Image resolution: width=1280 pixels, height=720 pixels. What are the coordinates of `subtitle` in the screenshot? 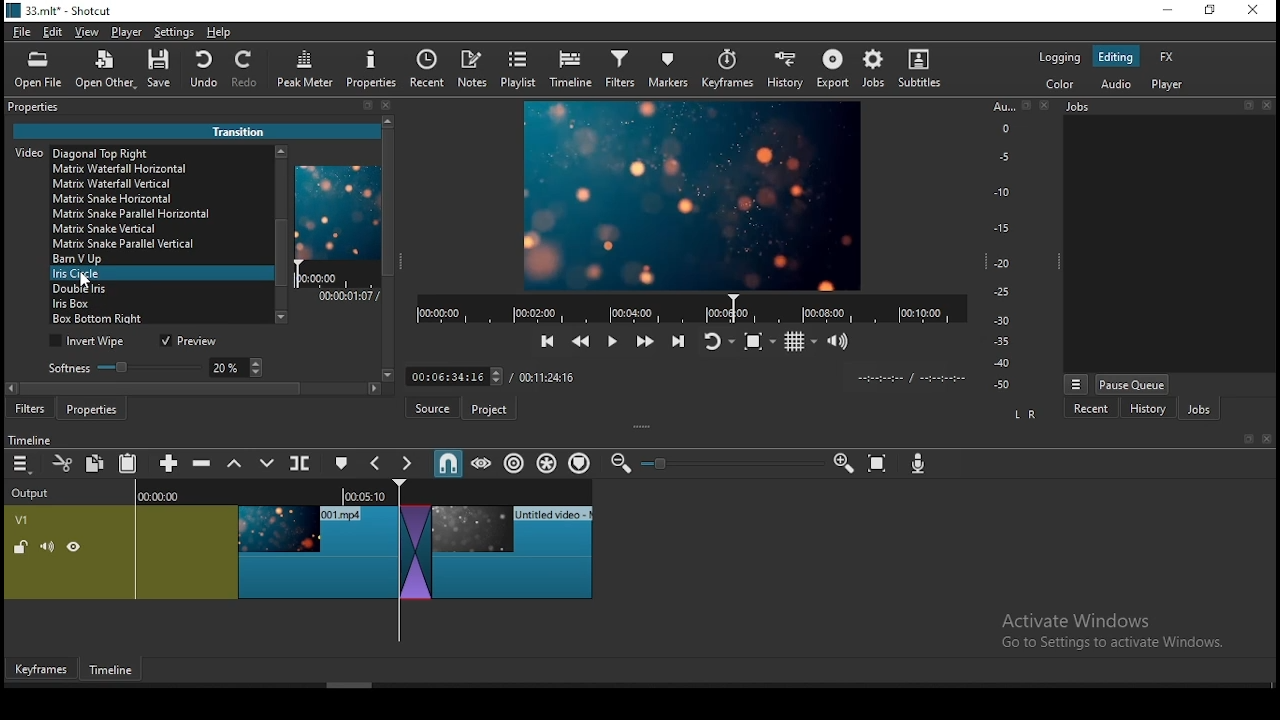 It's located at (917, 68).